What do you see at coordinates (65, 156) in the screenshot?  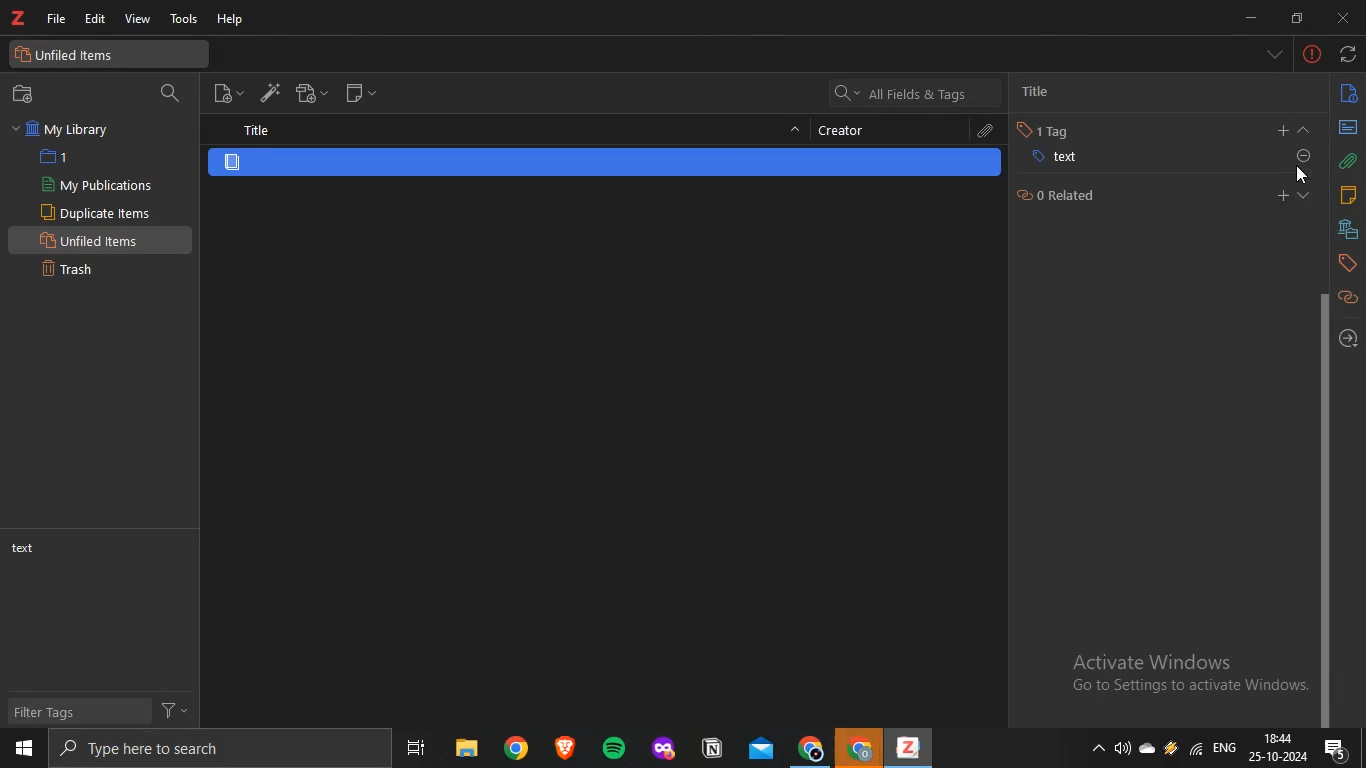 I see `1` at bounding box center [65, 156].